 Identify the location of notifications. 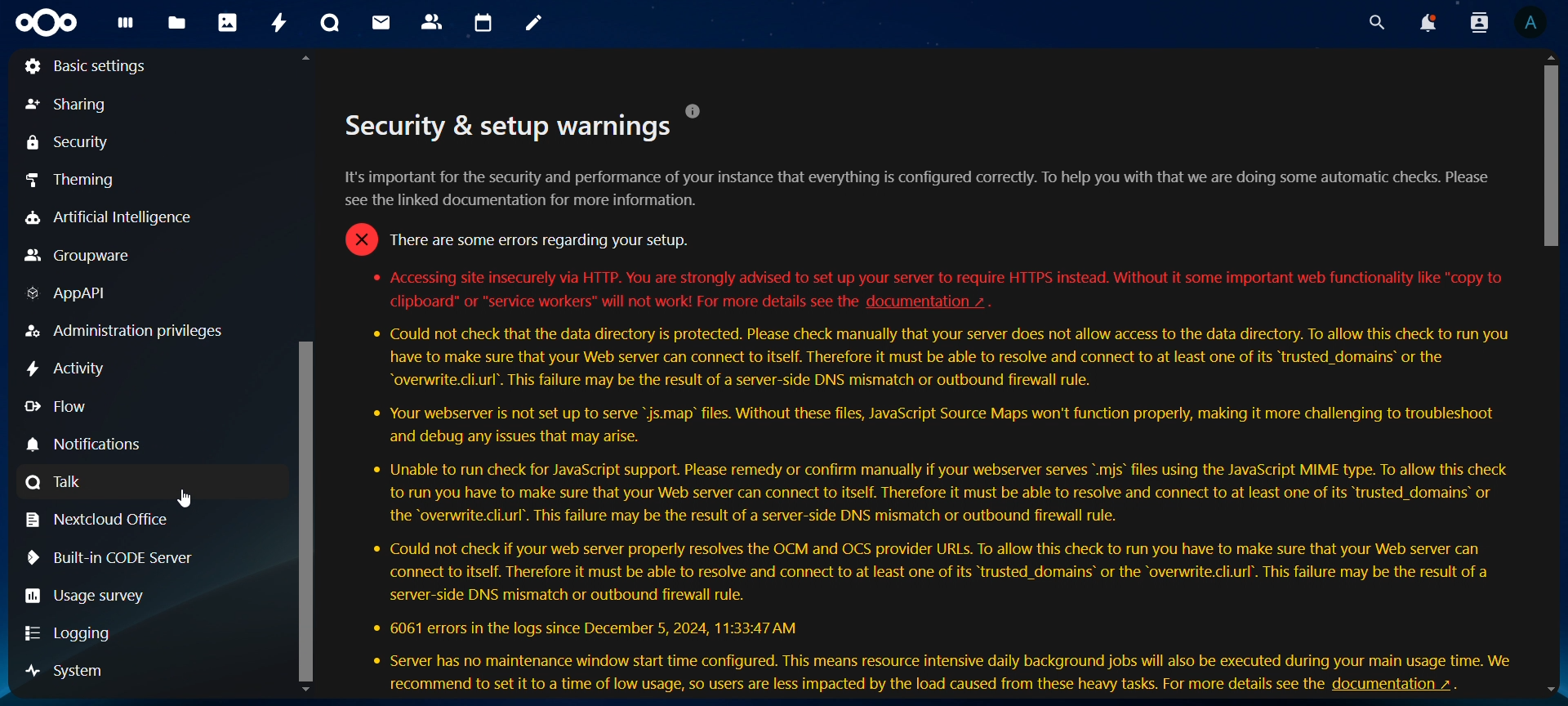
(1428, 23).